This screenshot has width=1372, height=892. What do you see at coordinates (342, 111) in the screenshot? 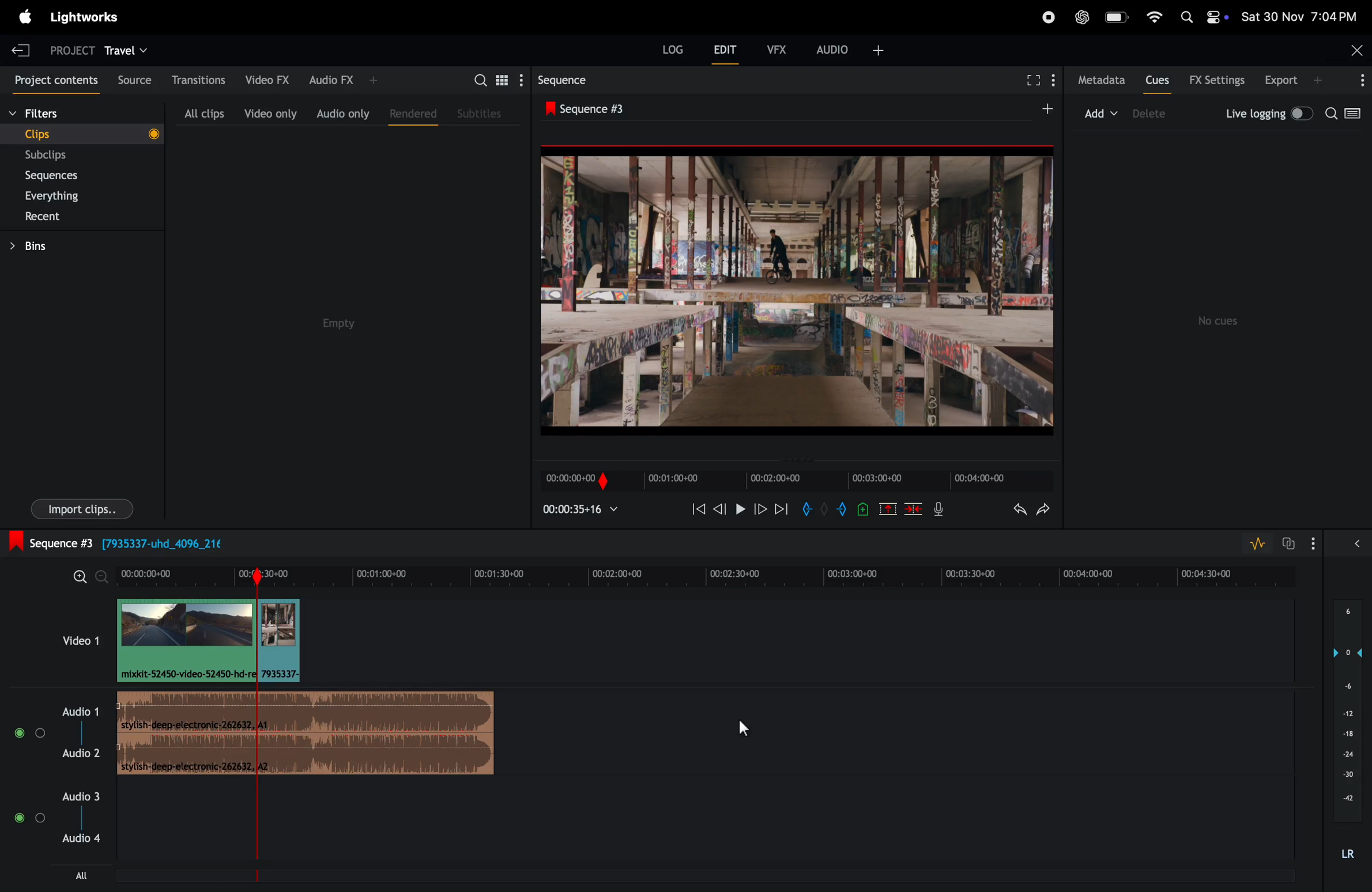
I see `audio omly` at bounding box center [342, 111].